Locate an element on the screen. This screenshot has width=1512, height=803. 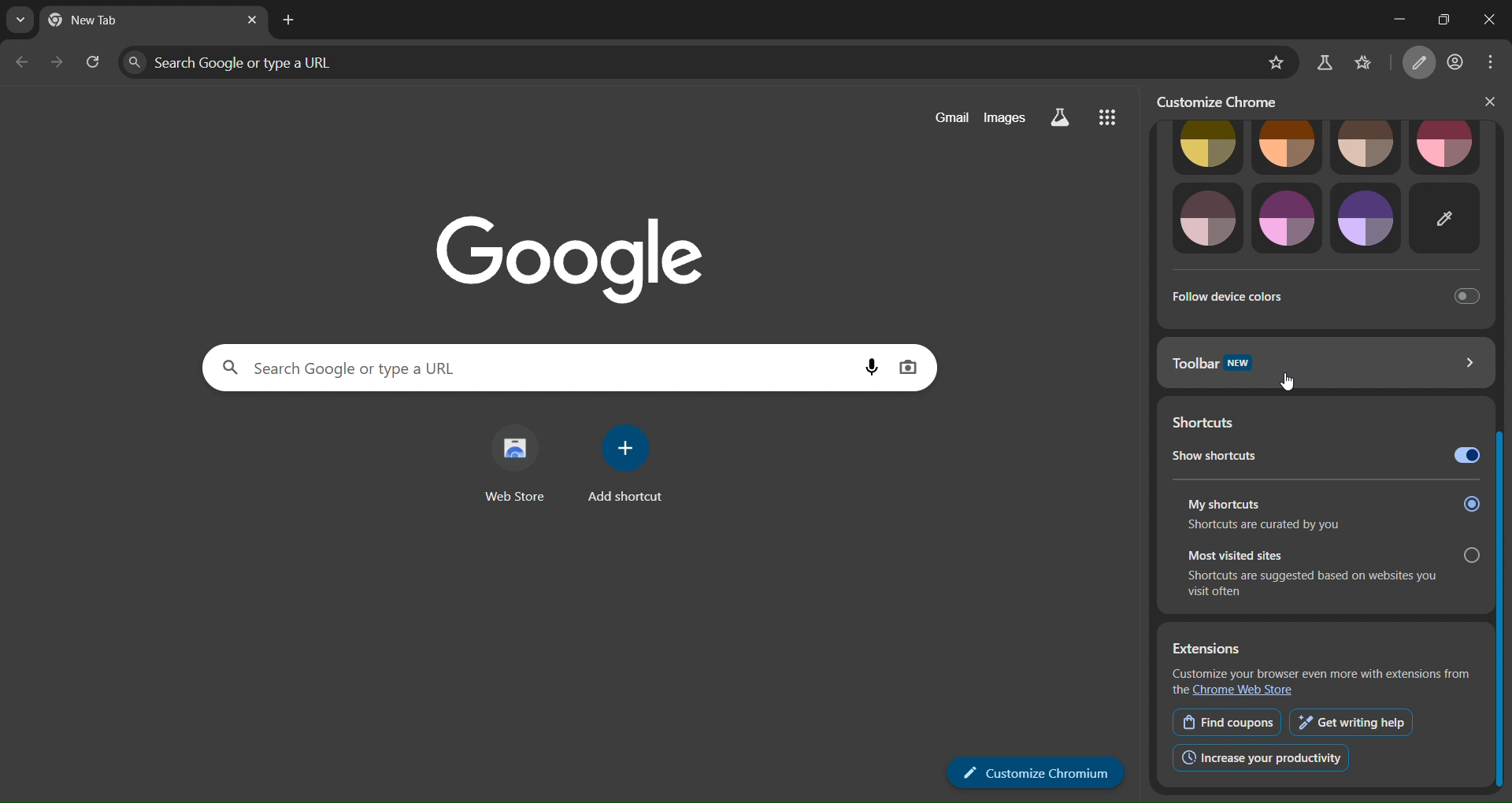
image is located at coordinates (1367, 146).